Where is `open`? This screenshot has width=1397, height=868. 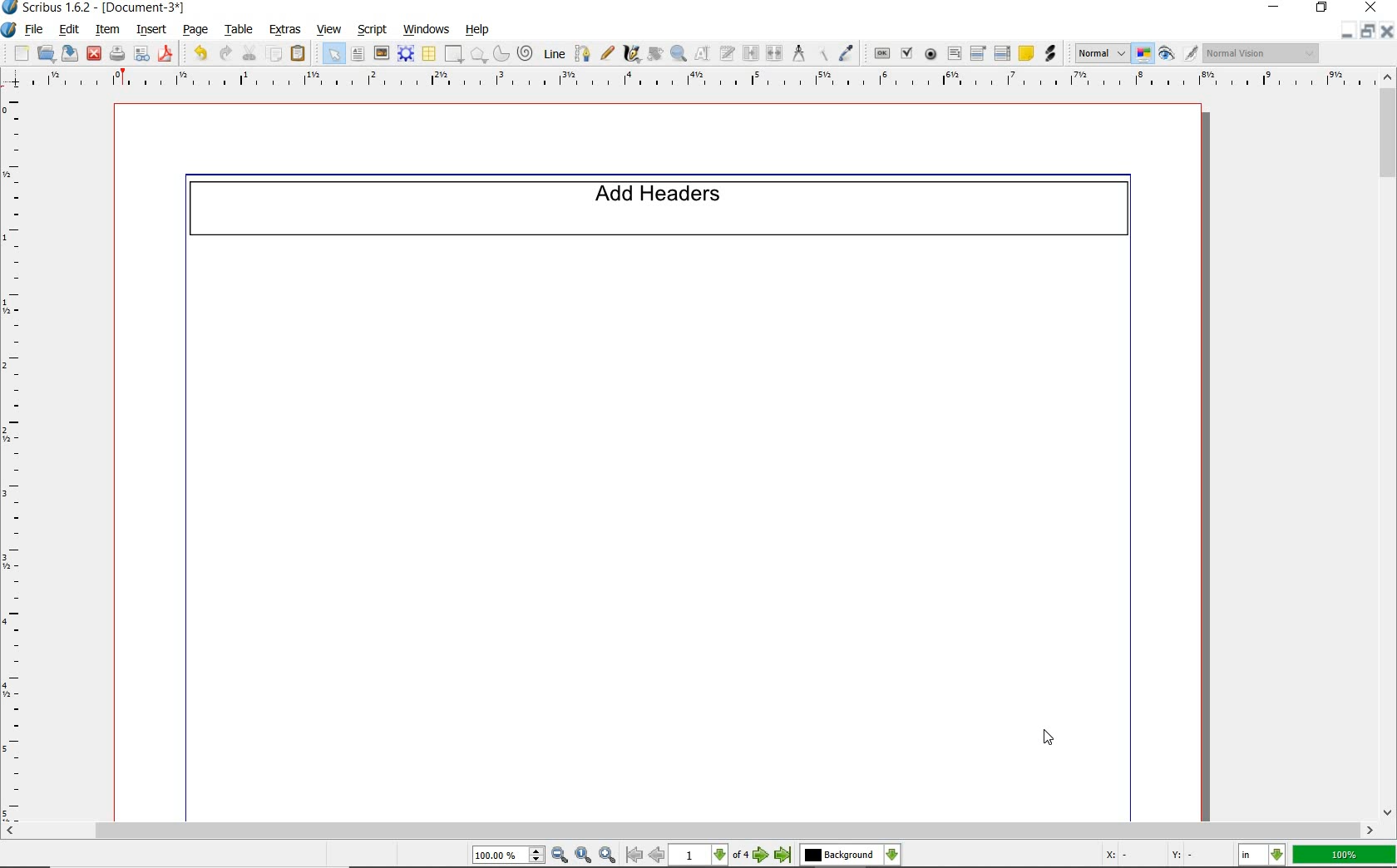
open is located at coordinates (46, 53).